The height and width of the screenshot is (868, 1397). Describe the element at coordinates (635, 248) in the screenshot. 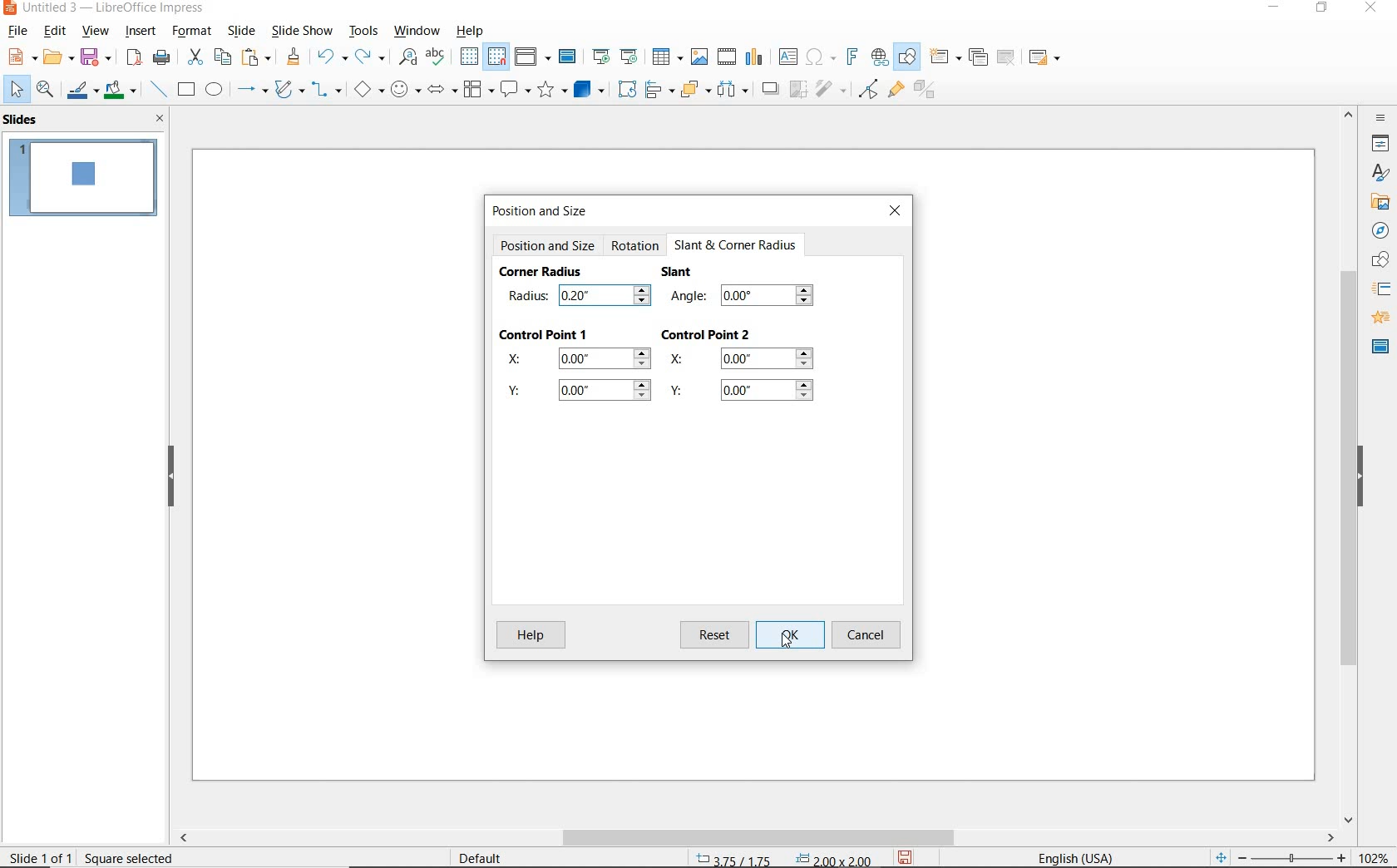

I see `ROTATION` at that location.